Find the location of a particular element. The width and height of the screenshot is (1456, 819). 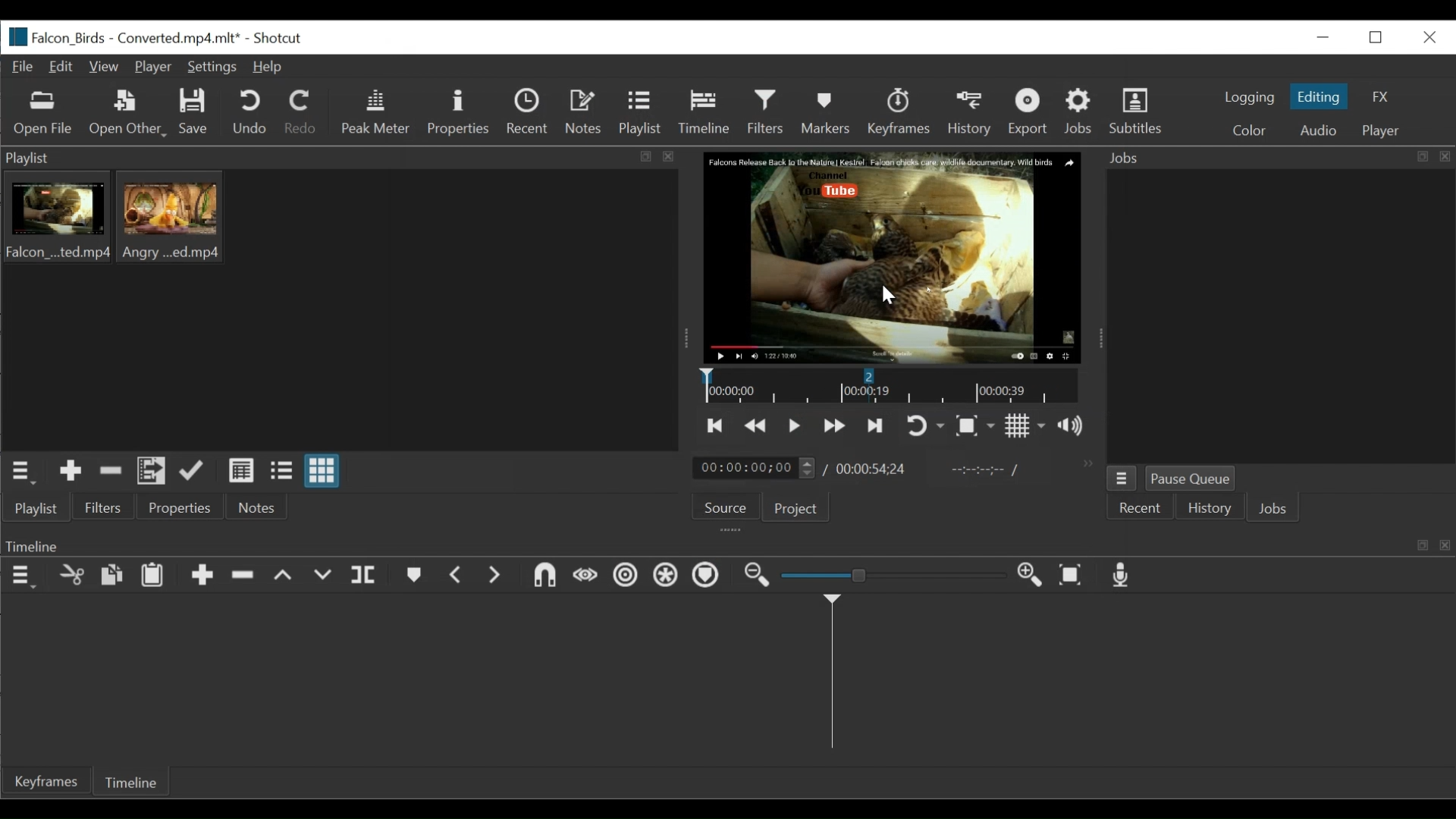

Timelin is located at coordinates (890, 386).